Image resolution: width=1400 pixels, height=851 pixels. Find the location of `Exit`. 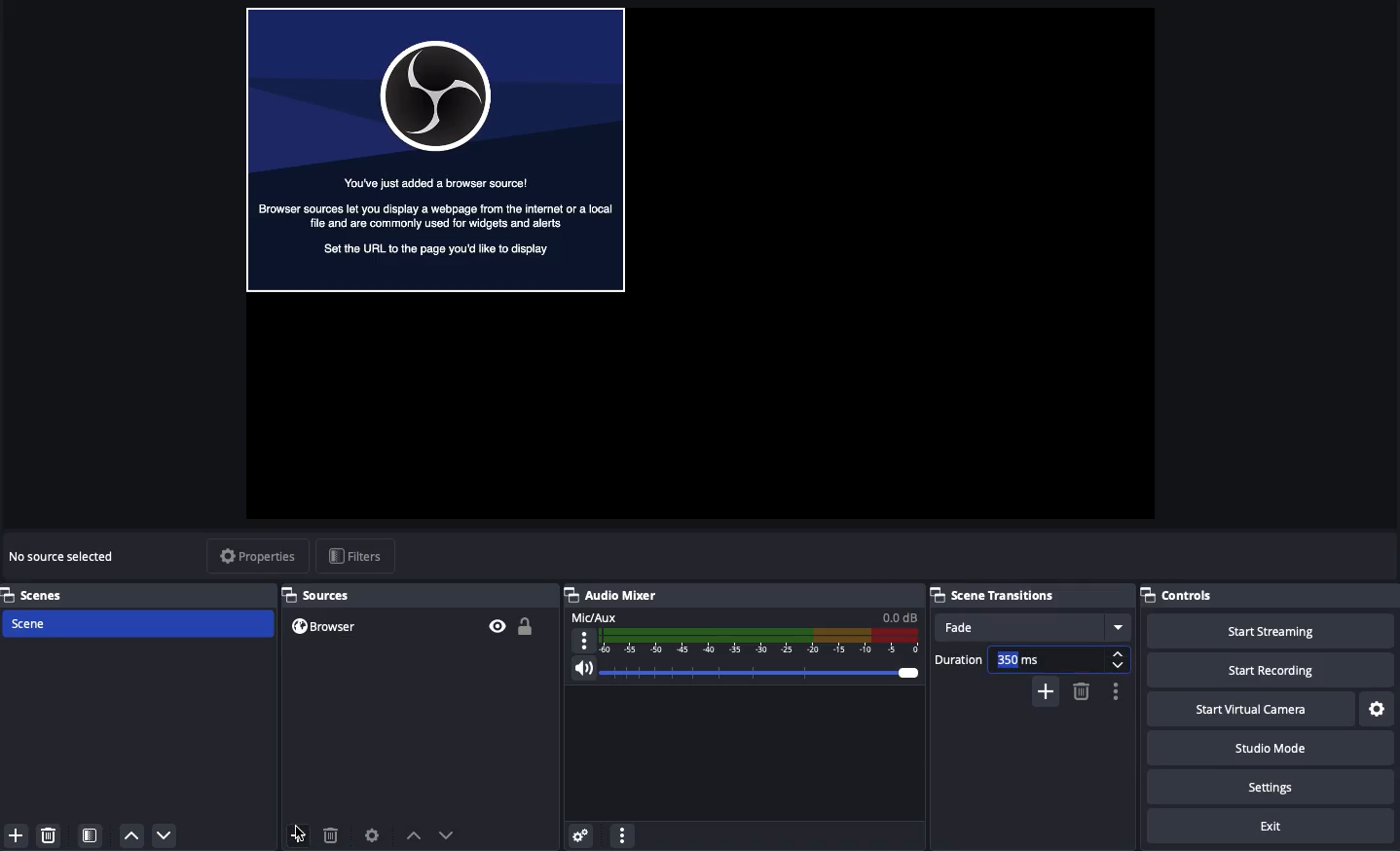

Exit is located at coordinates (1253, 827).